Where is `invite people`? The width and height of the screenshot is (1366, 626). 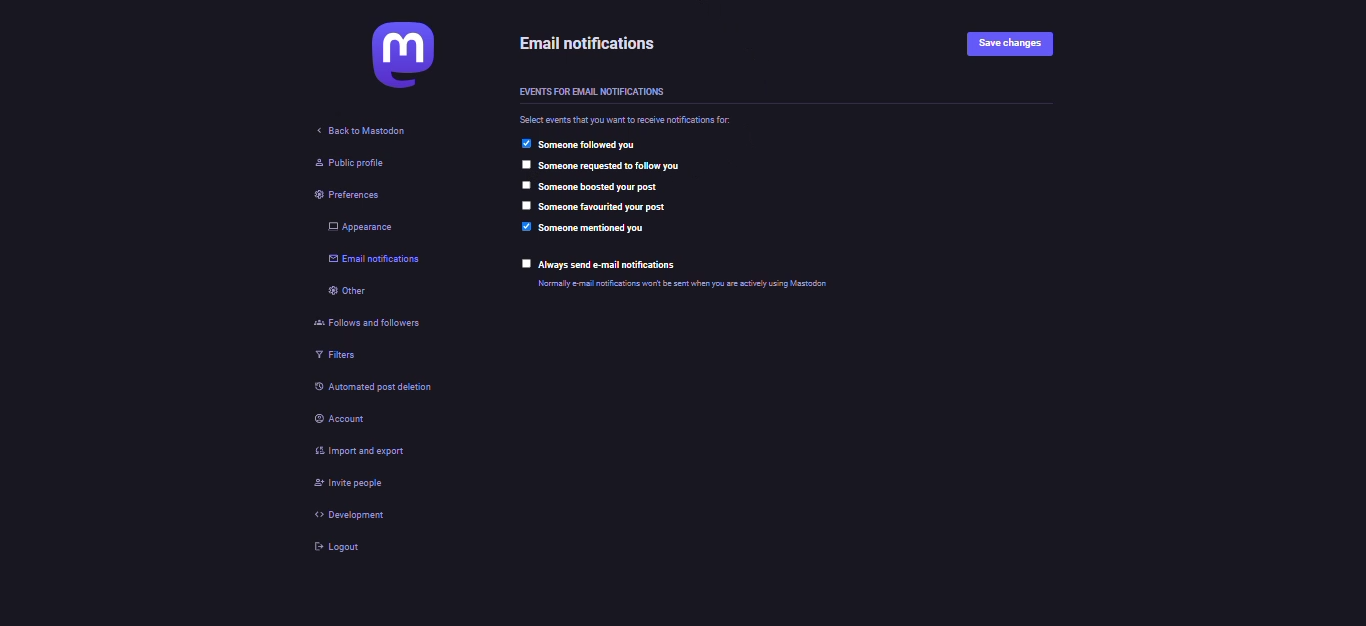 invite people is located at coordinates (343, 484).